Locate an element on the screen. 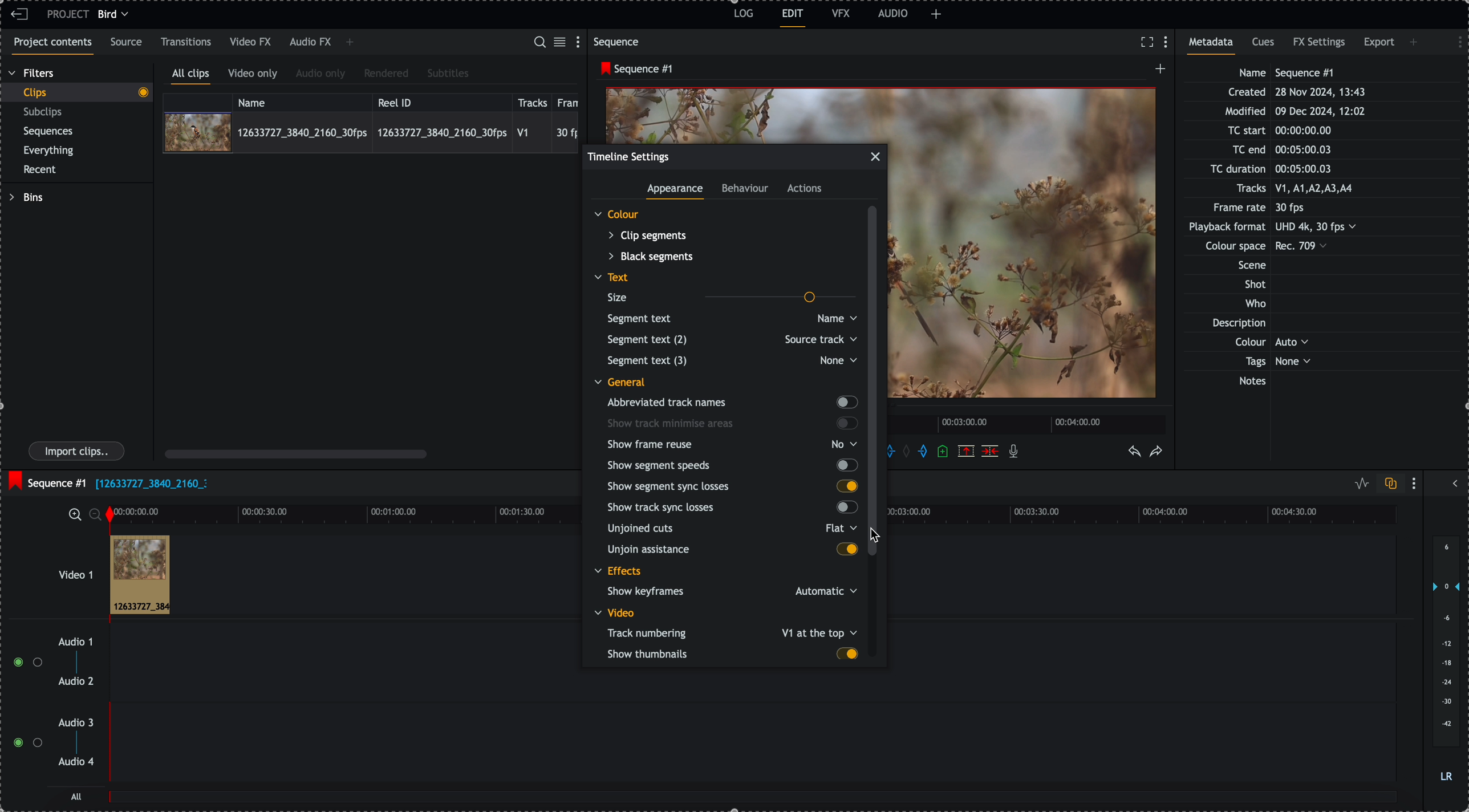 This screenshot has height=812, width=1469. search for assets or bins is located at coordinates (539, 43).